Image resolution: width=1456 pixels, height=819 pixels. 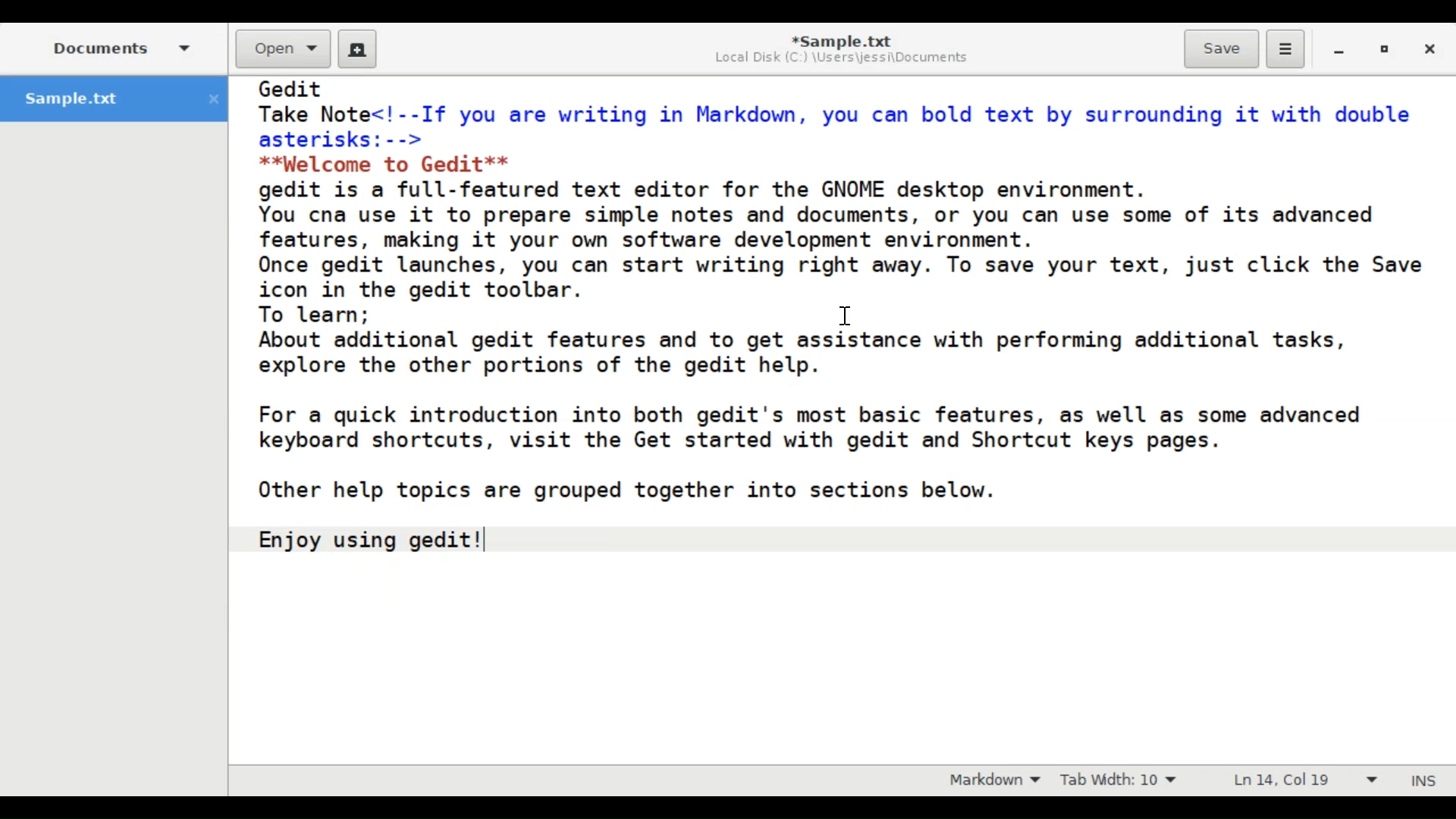 What do you see at coordinates (838, 60) in the screenshot?
I see `Local Disk (C-) \Users\iessi\Documents` at bounding box center [838, 60].